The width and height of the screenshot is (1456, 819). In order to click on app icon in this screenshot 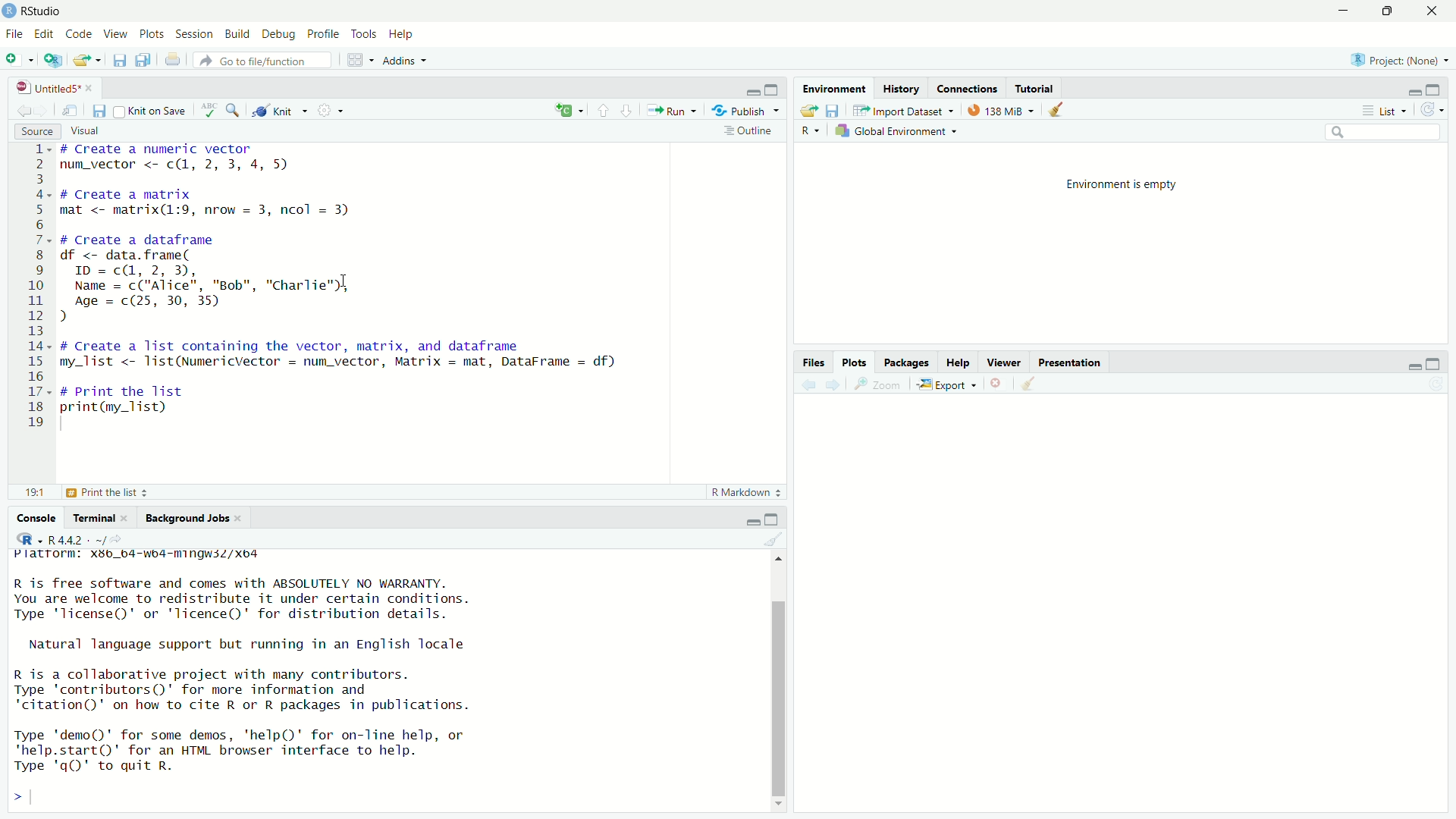, I will do `click(10, 10)`.